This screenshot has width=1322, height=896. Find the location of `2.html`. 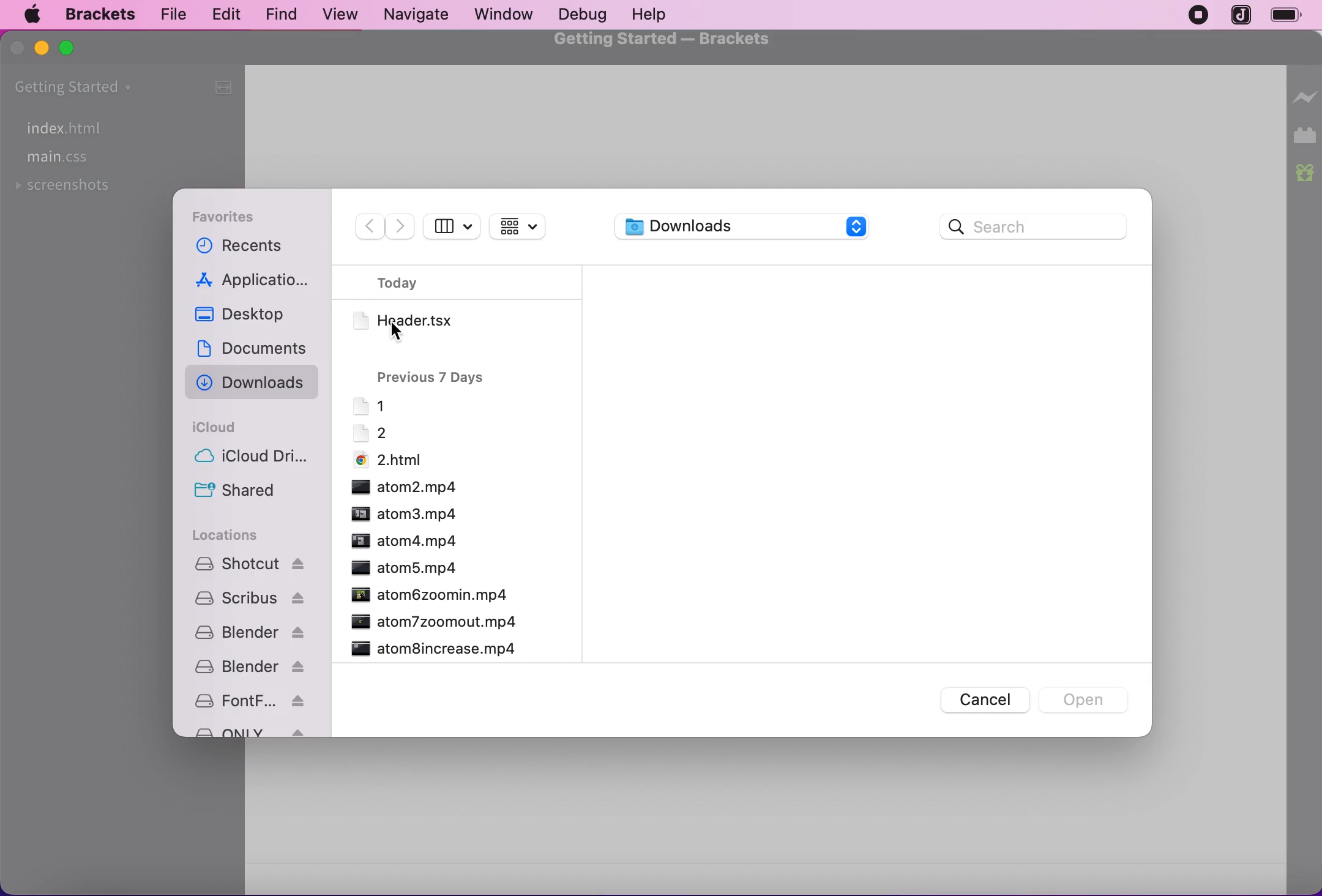

2.html is located at coordinates (388, 458).